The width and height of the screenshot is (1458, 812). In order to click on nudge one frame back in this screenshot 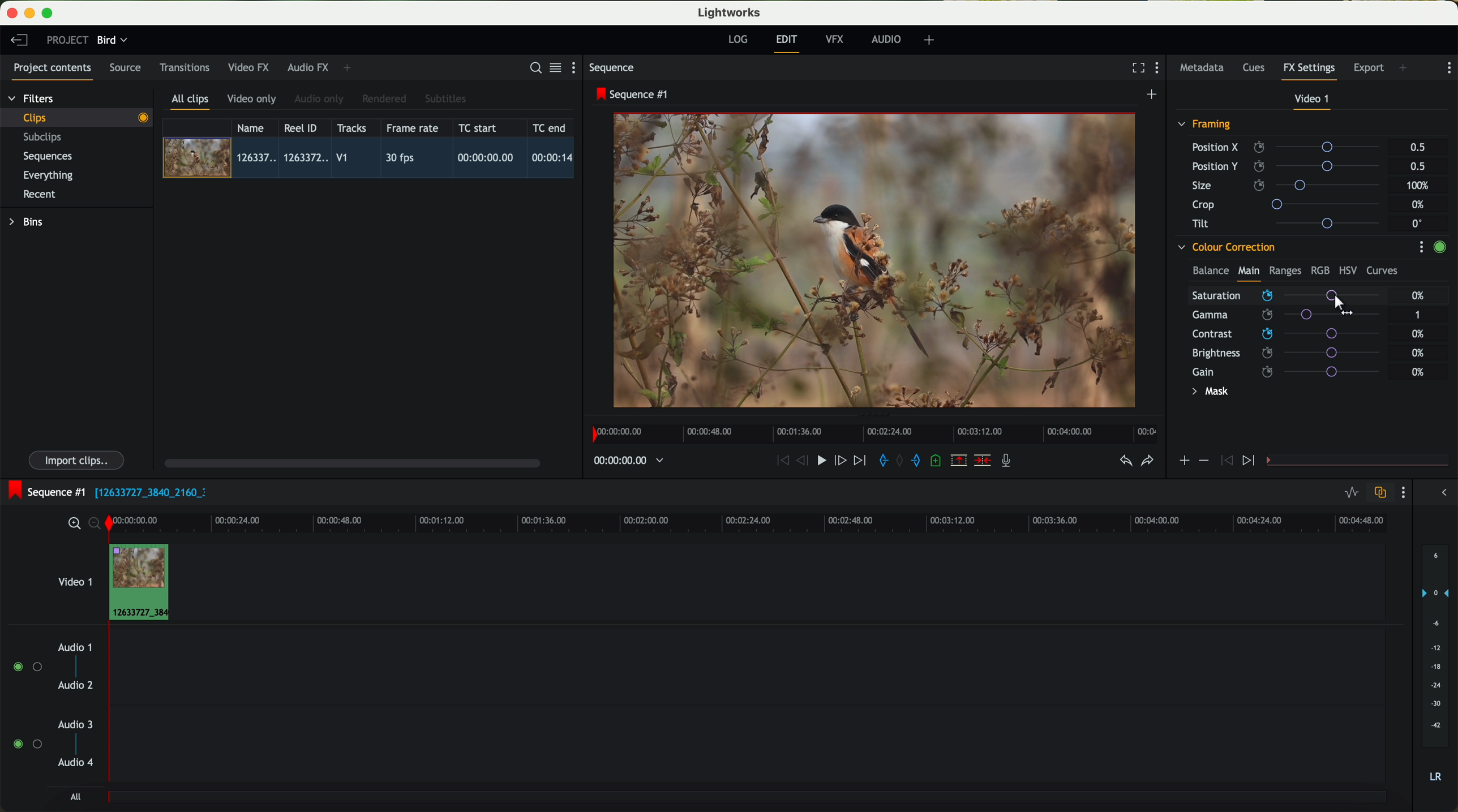, I will do `click(804, 462)`.